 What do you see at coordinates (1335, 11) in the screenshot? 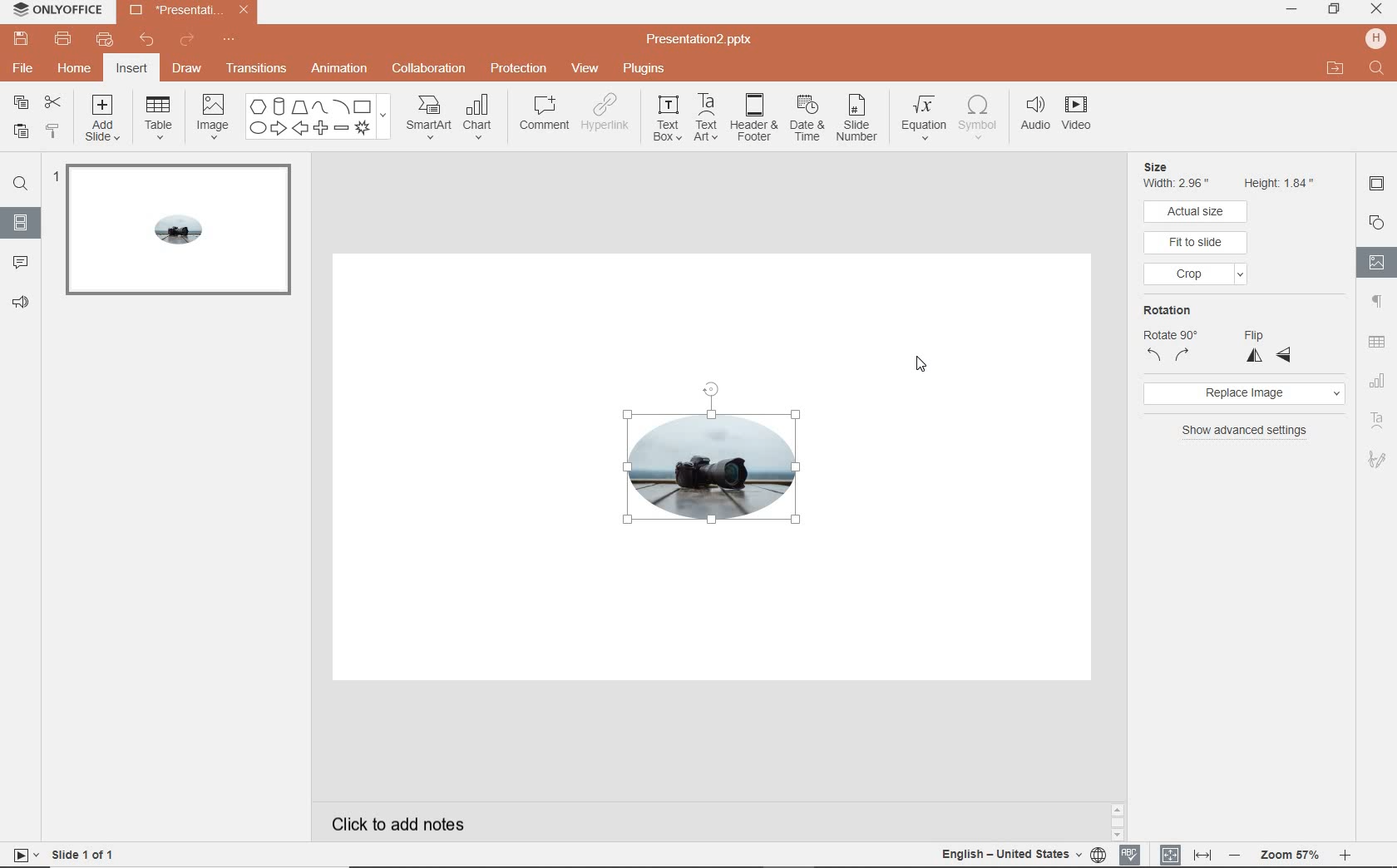
I see `restore` at bounding box center [1335, 11].